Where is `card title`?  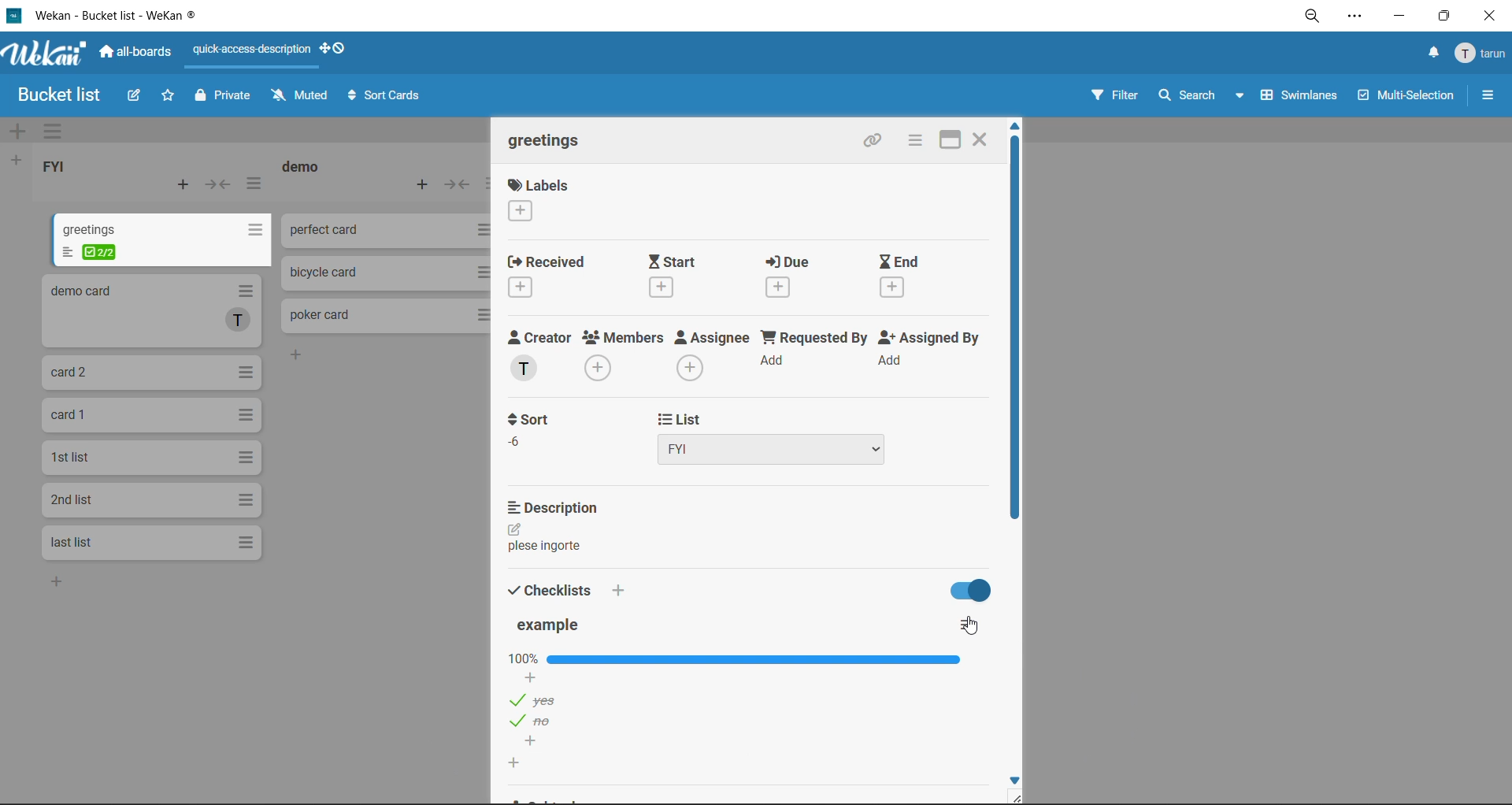
card title is located at coordinates (550, 141).